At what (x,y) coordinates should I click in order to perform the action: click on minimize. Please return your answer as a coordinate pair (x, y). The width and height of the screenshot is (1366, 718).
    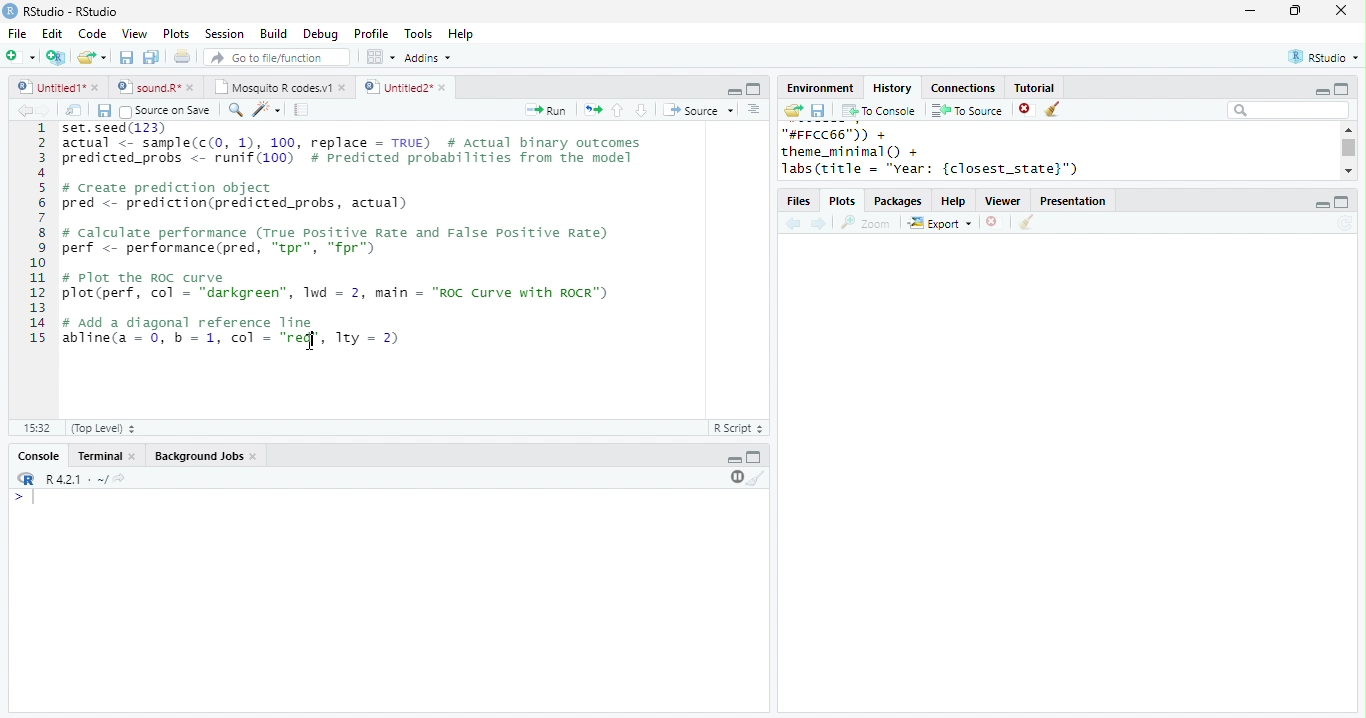
    Looking at the image, I should click on (1249, 10).